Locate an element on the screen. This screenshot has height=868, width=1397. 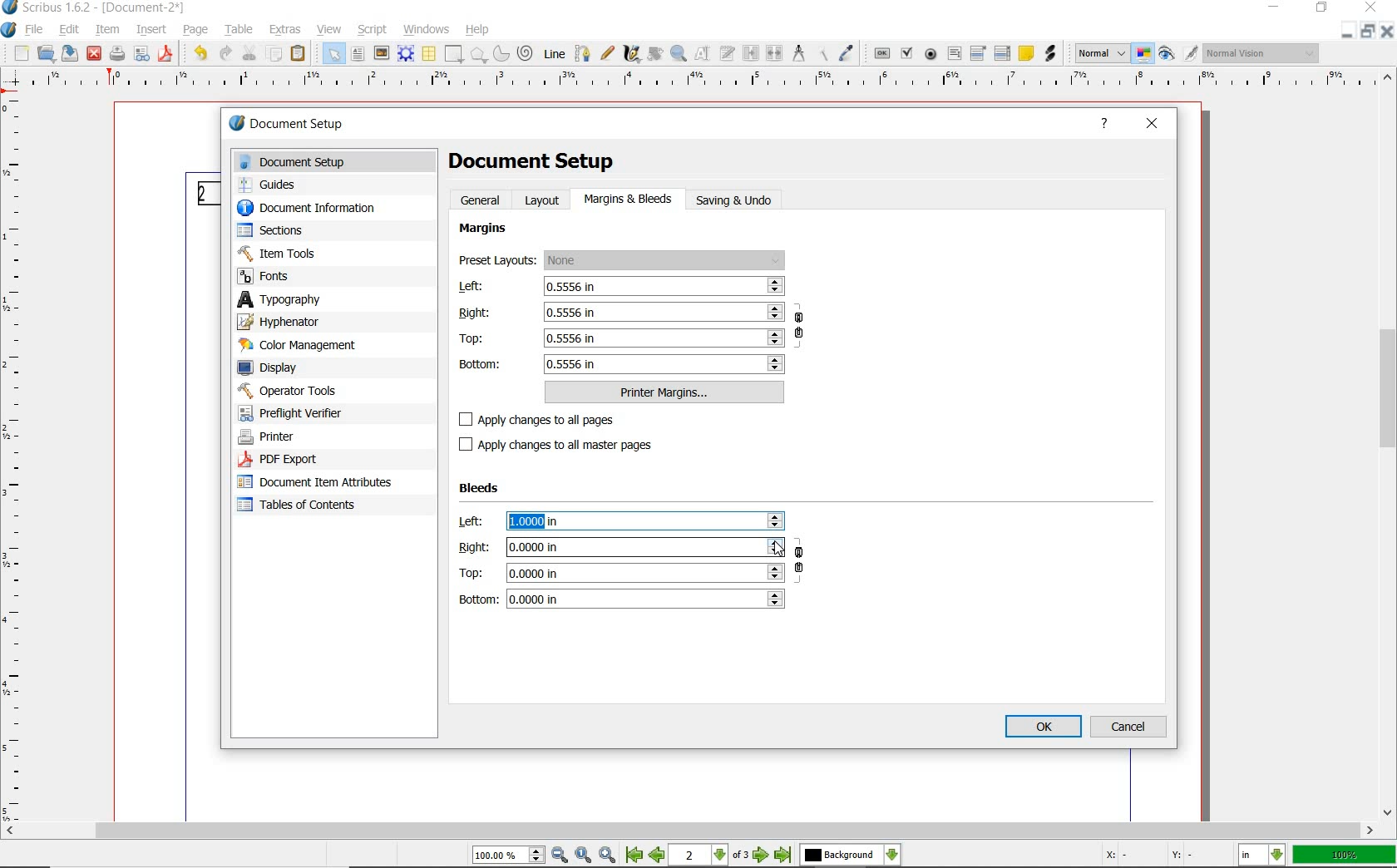
shape is located at coordinates (452, 55).